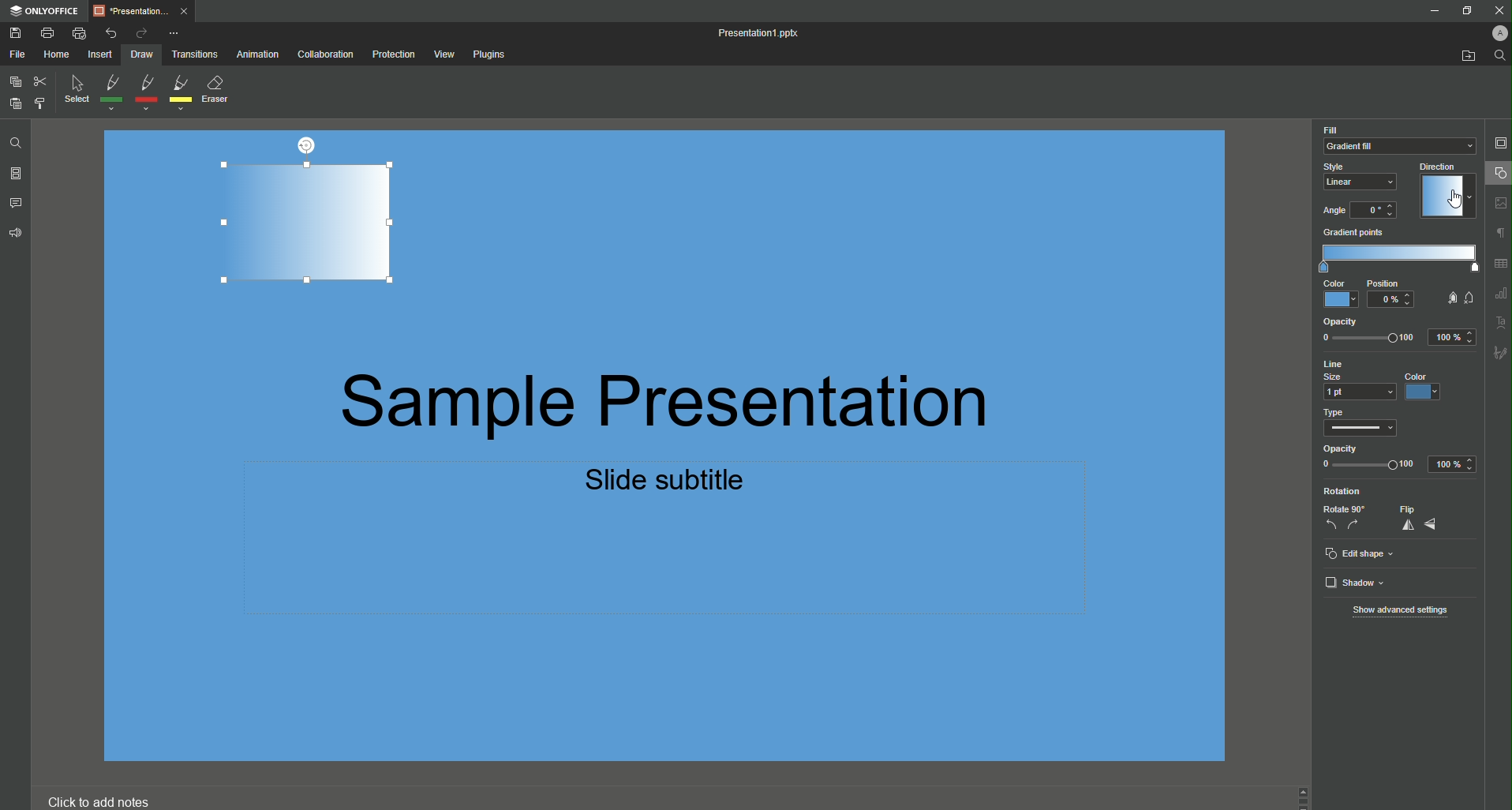 The width and height of the screenshot is (1512, 810). I want to click on Paste, so click(15, 103).